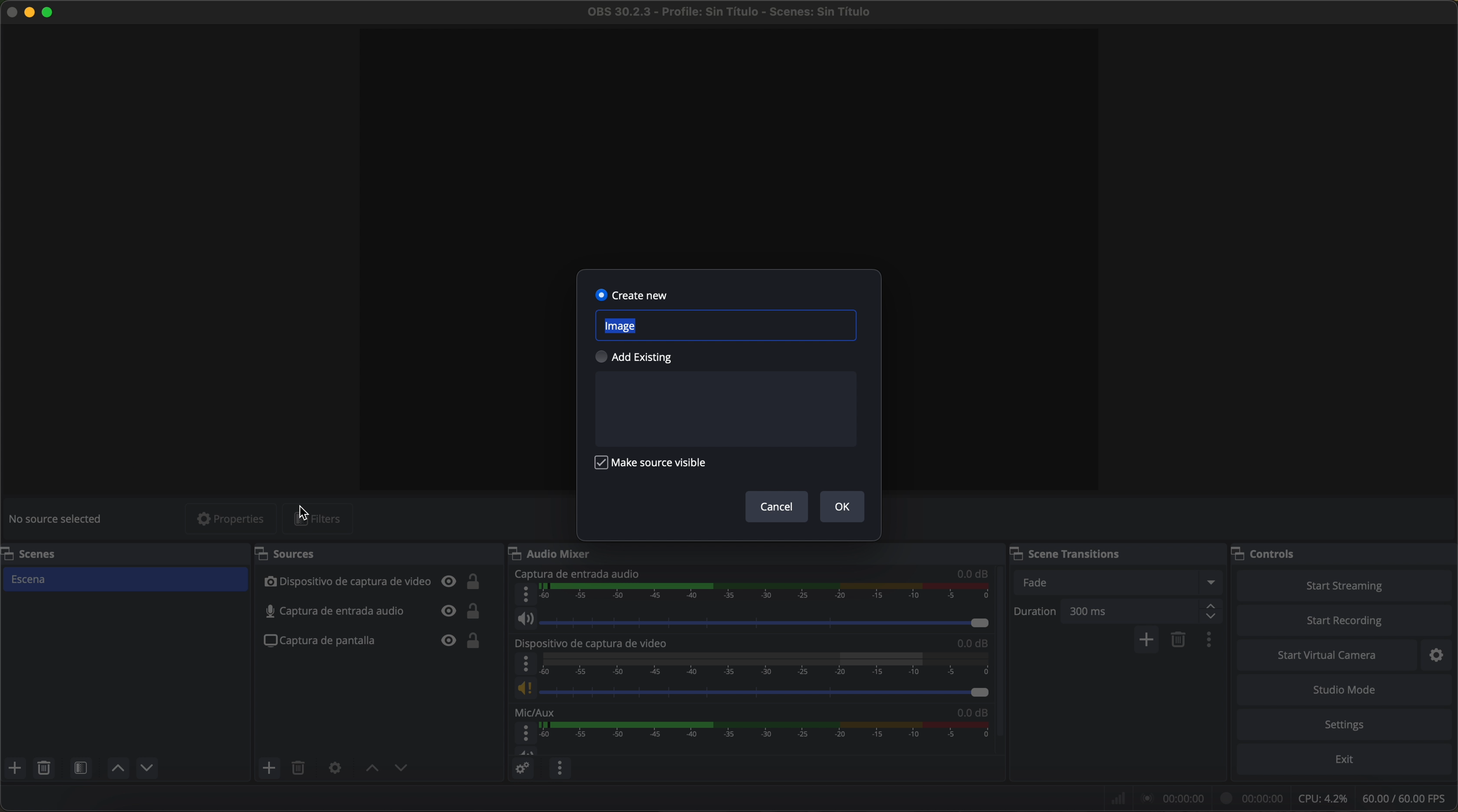  What do you see at coordinates (335, 768) in the screenshot?
I see `open source properties` at bounding box center [335, 768].